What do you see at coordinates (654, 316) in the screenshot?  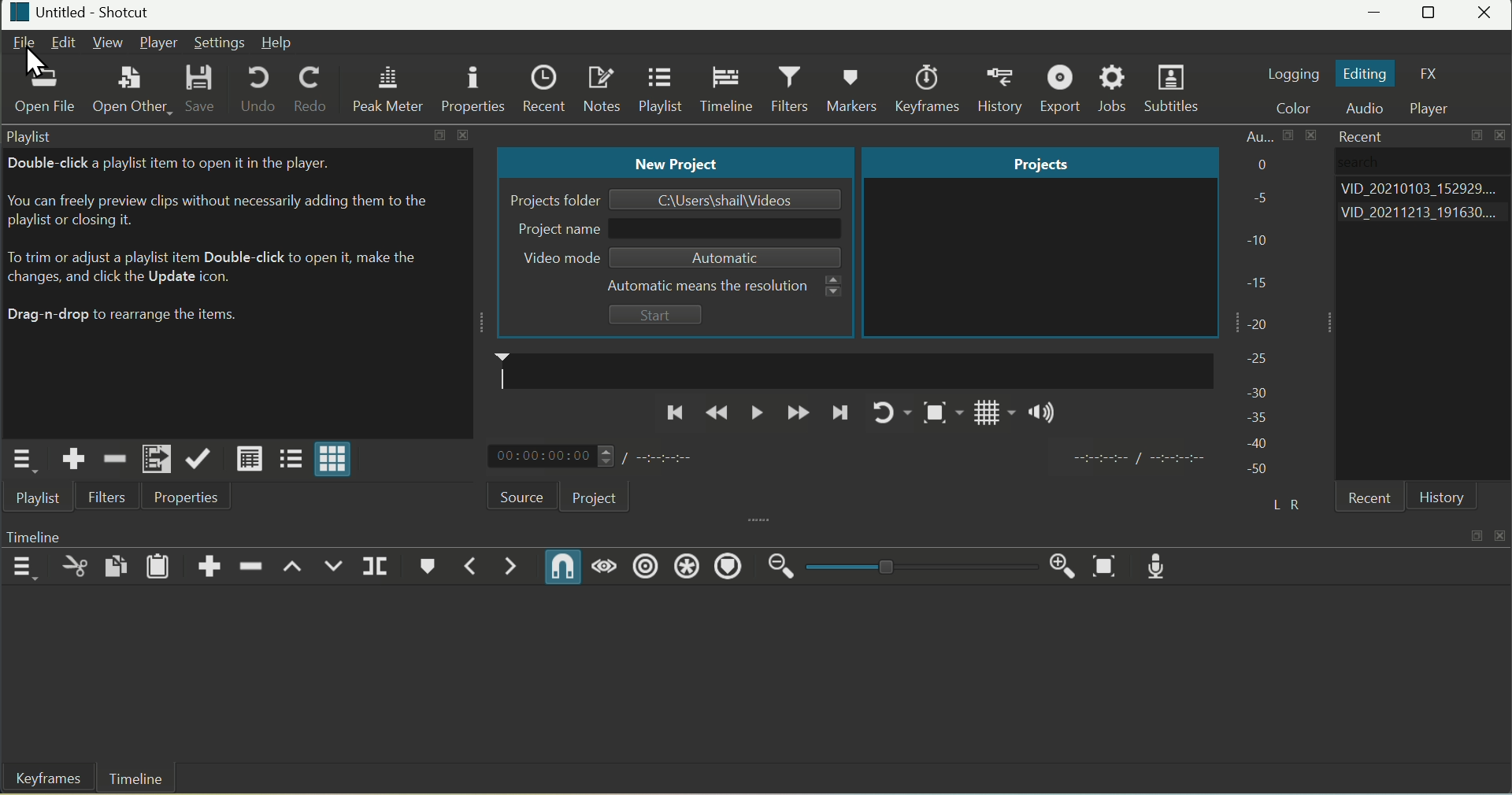 I see `Start` at bounding box center [654, 316].